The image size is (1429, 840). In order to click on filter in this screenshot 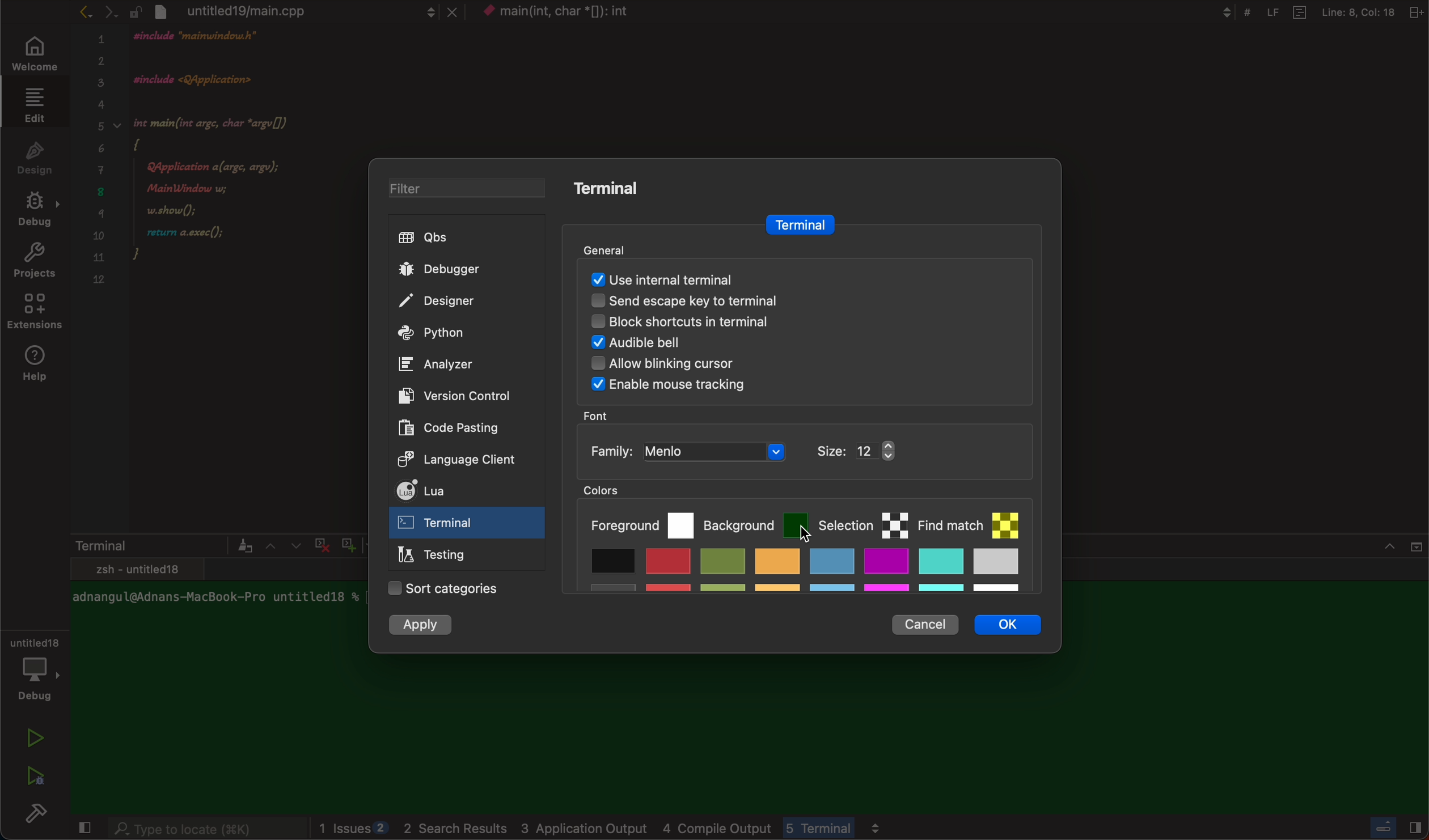, I will do `click(458, 190)`.